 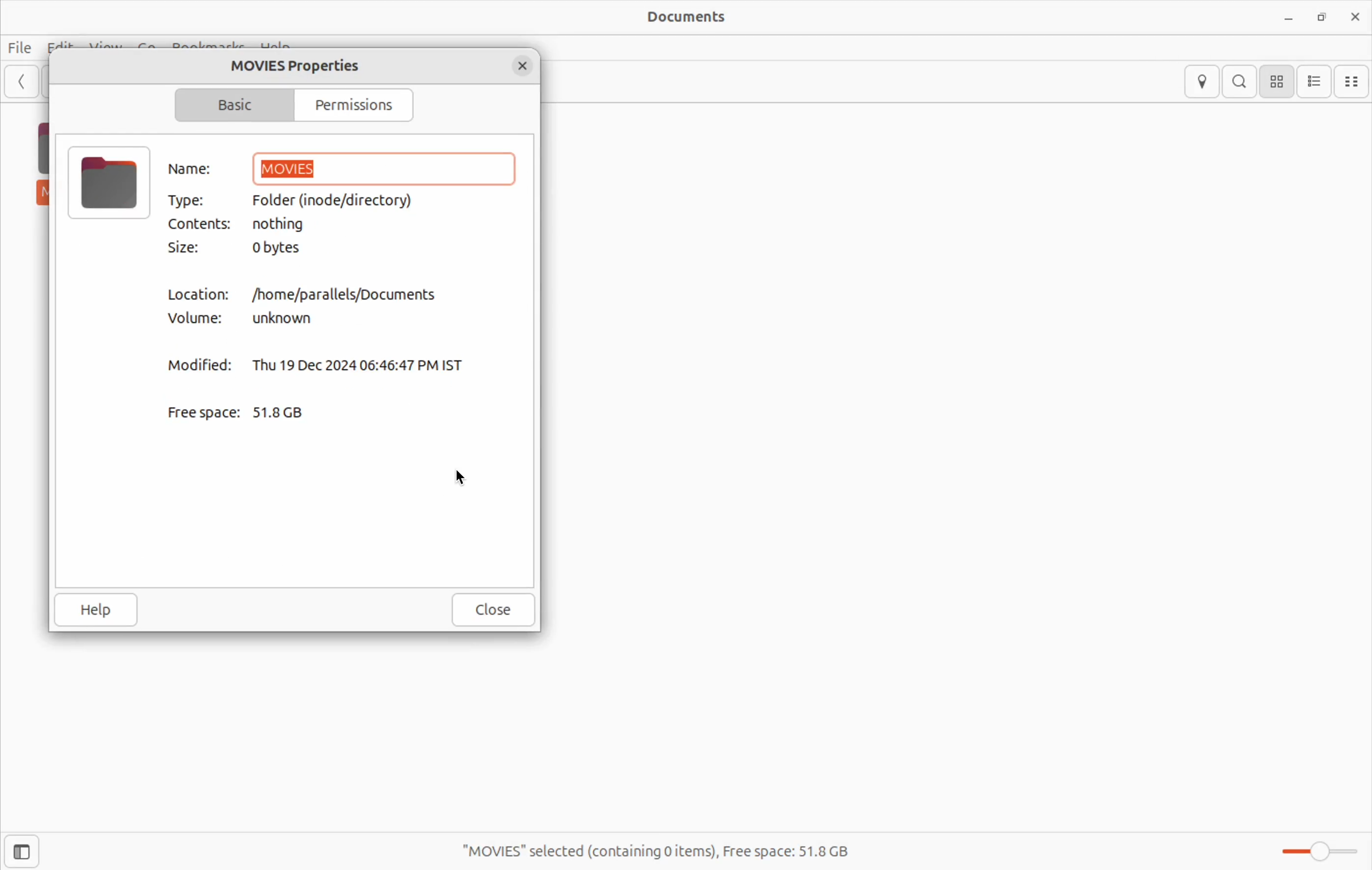 What do you see at coordinates (190, 198) in the screenshot?
I see `type` at bounding box center [190, 198].